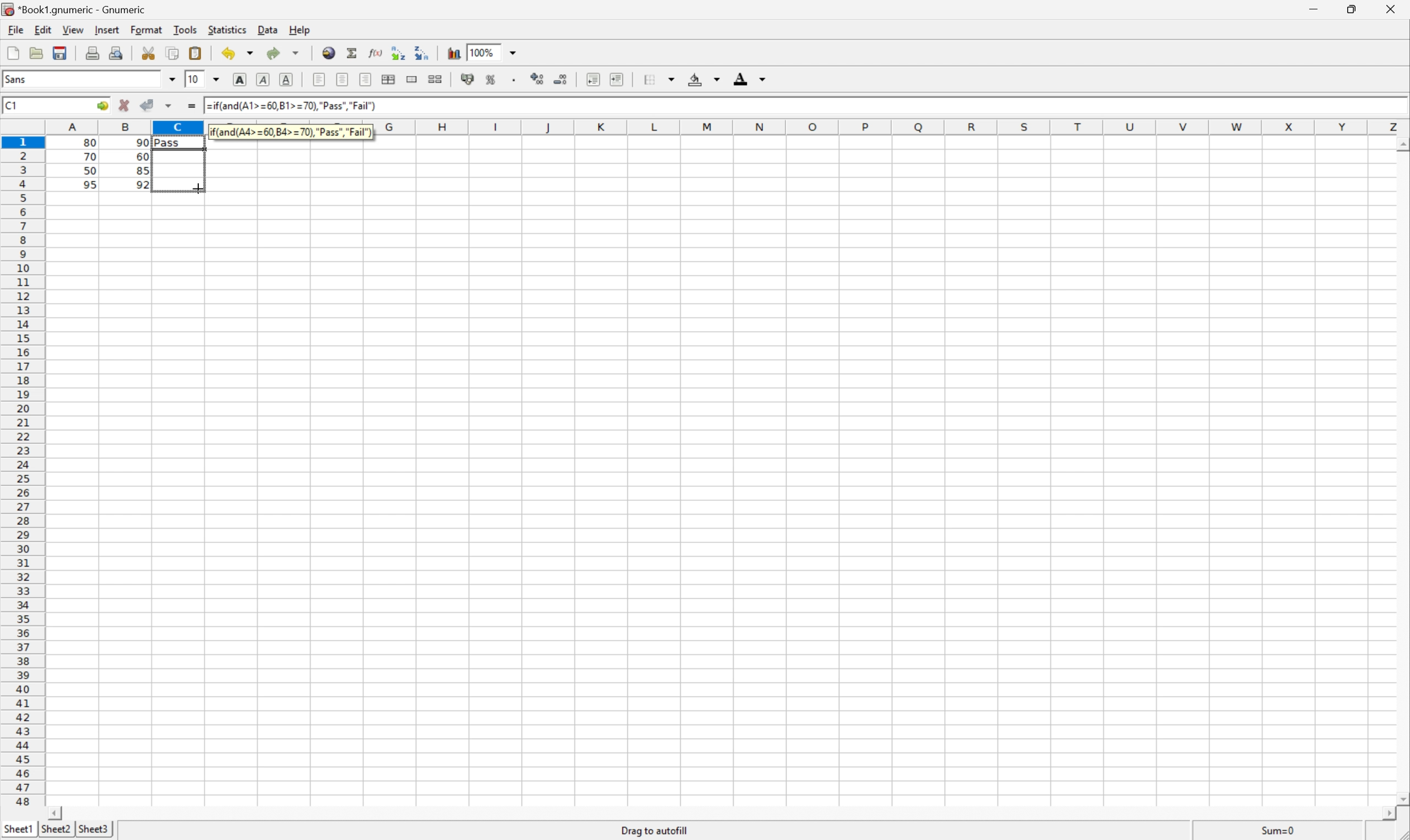  I want to click on Statistics, so click(229, 31).